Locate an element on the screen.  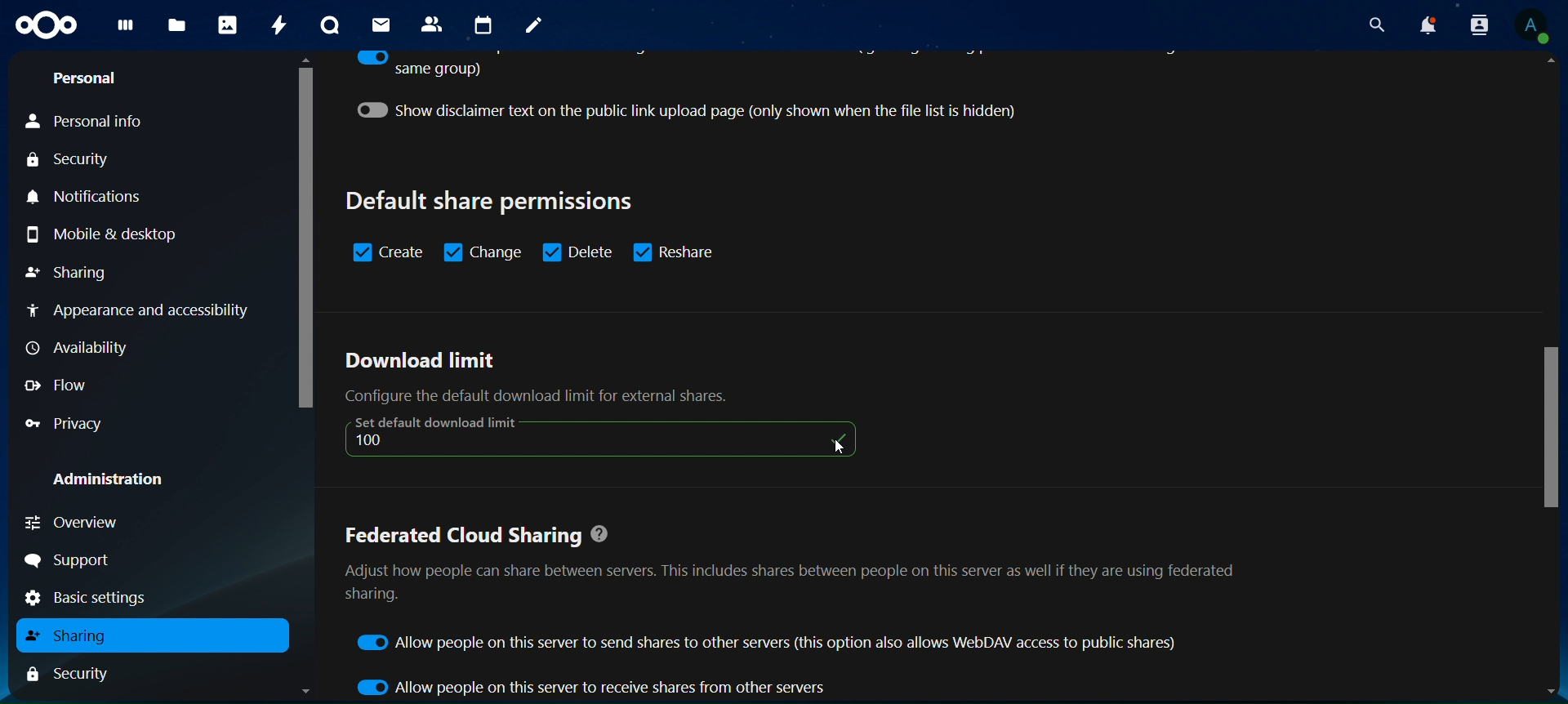
Scrollbar is located at coordinates (301, 378).